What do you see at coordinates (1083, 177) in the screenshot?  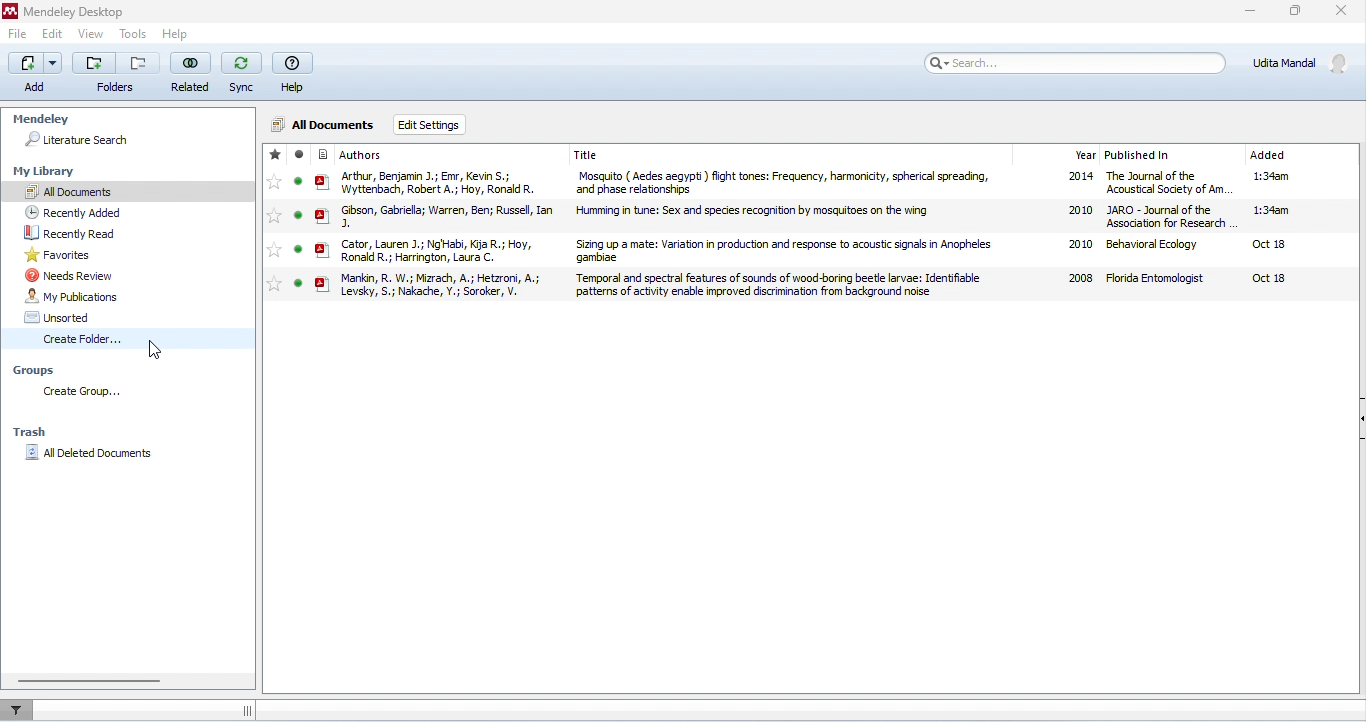 I see `2014` at bounding box center [1083, 177].